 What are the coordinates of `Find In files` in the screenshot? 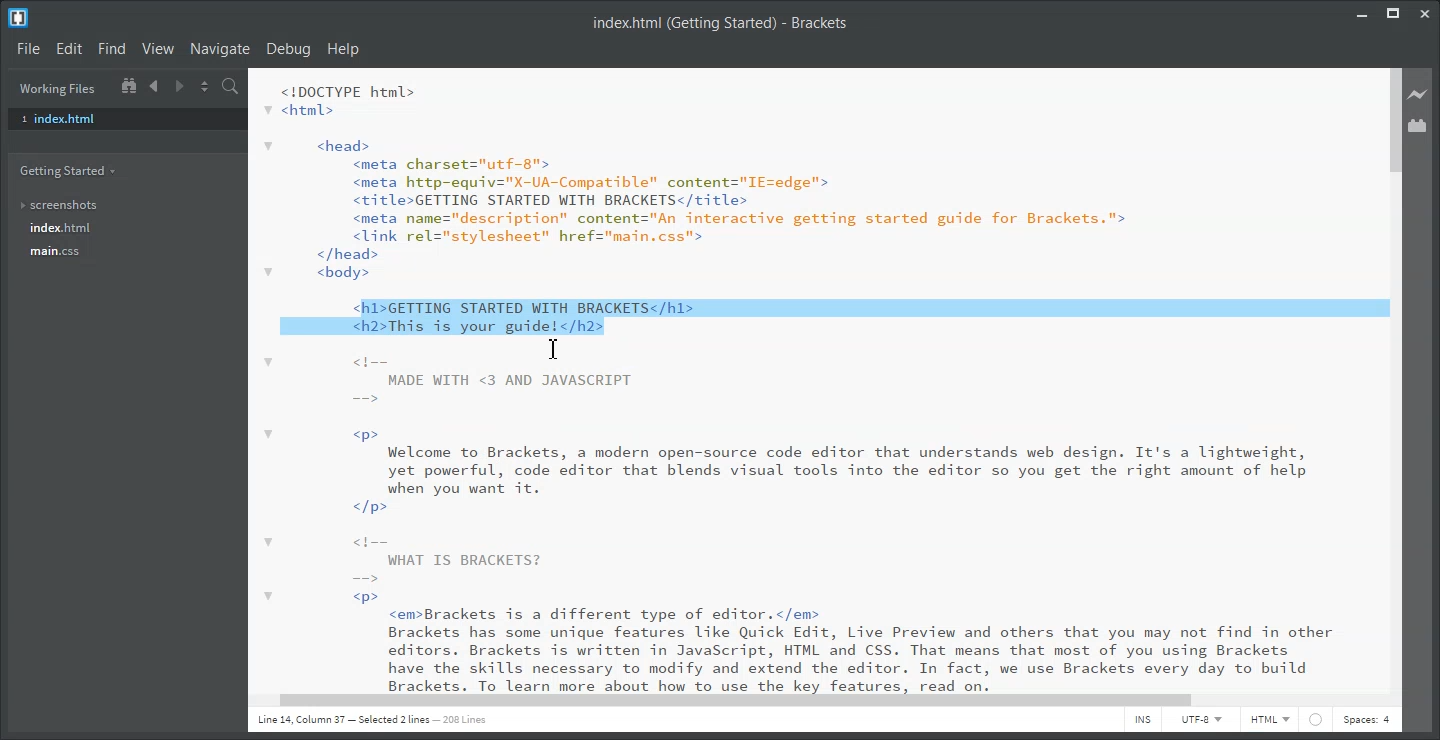 It's located at (231, 87).